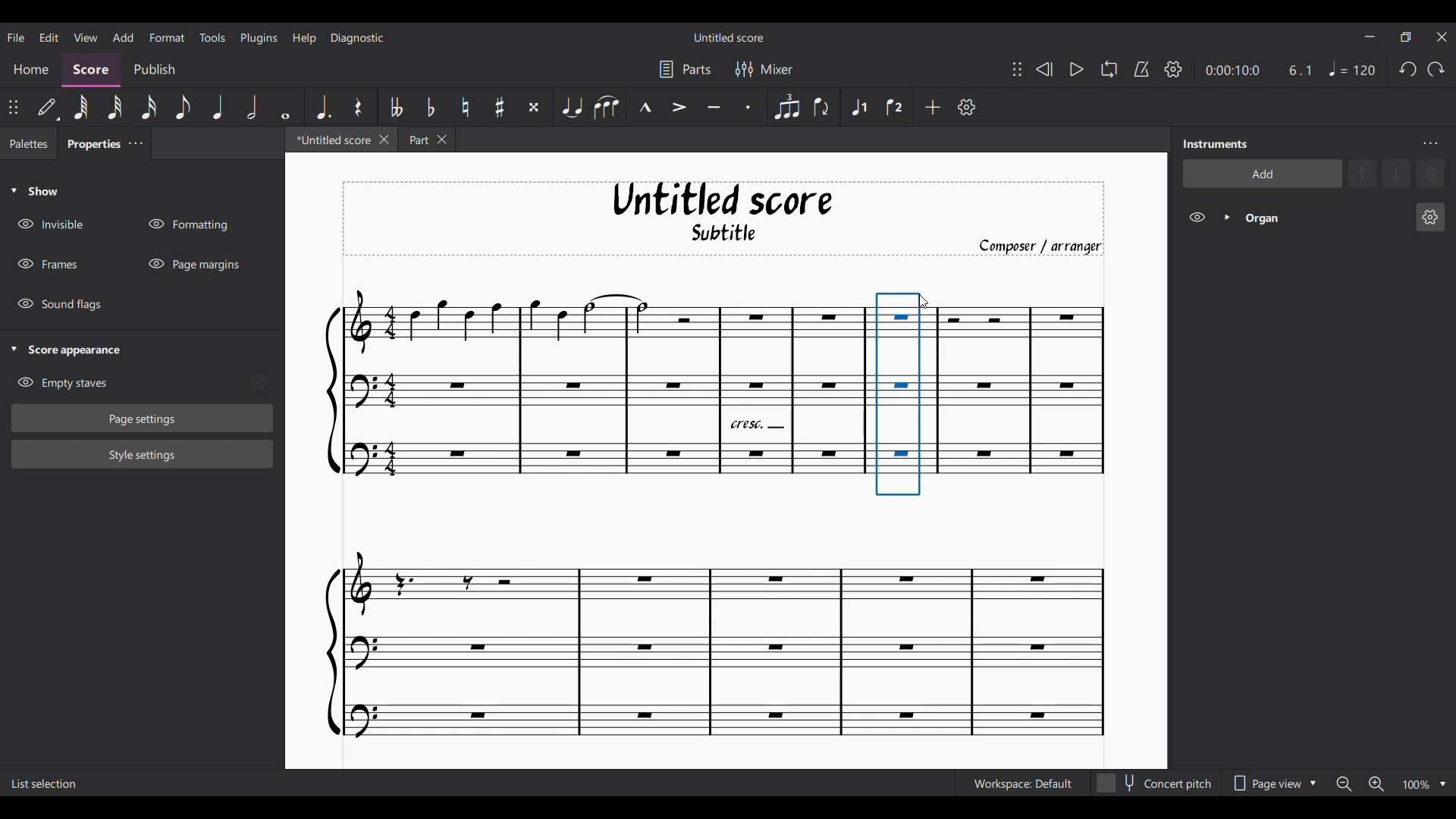 The height and width of the screenshot is (819, 1456). What do you see at coordinates (166, 37) in the screenshot?
I see `Format menu` at bounding box center [166, 37].